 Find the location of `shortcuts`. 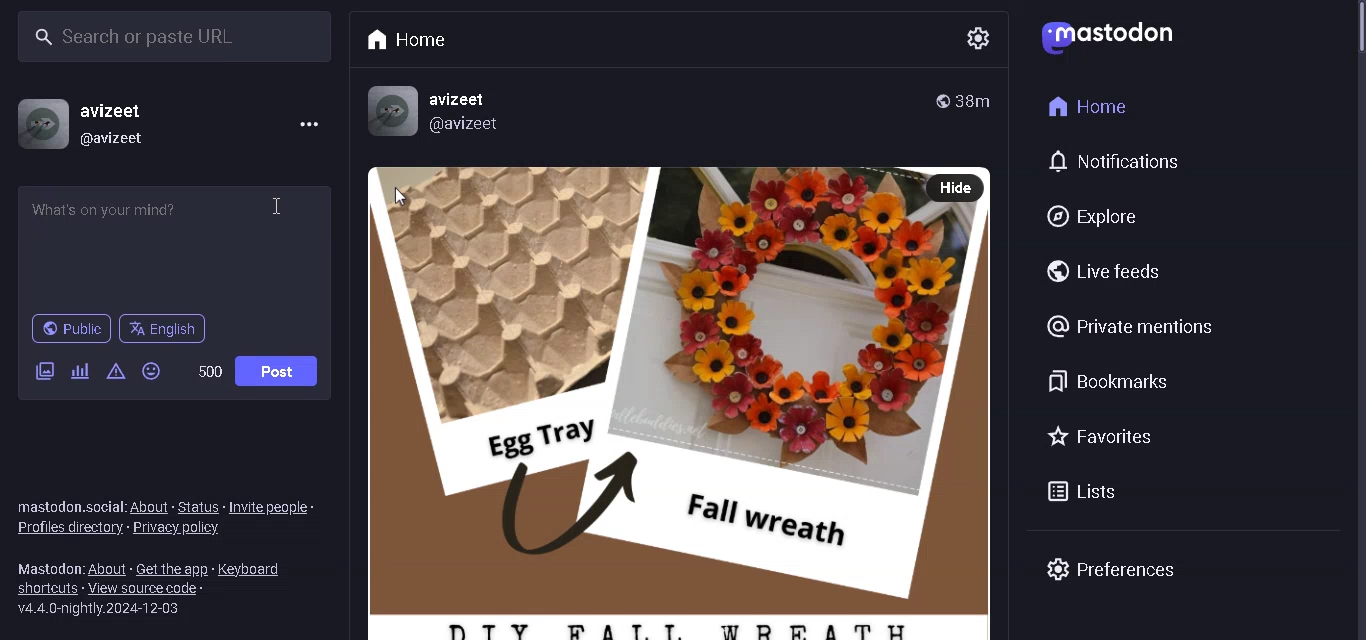

shortcuts is located at coordinates (46, 588).